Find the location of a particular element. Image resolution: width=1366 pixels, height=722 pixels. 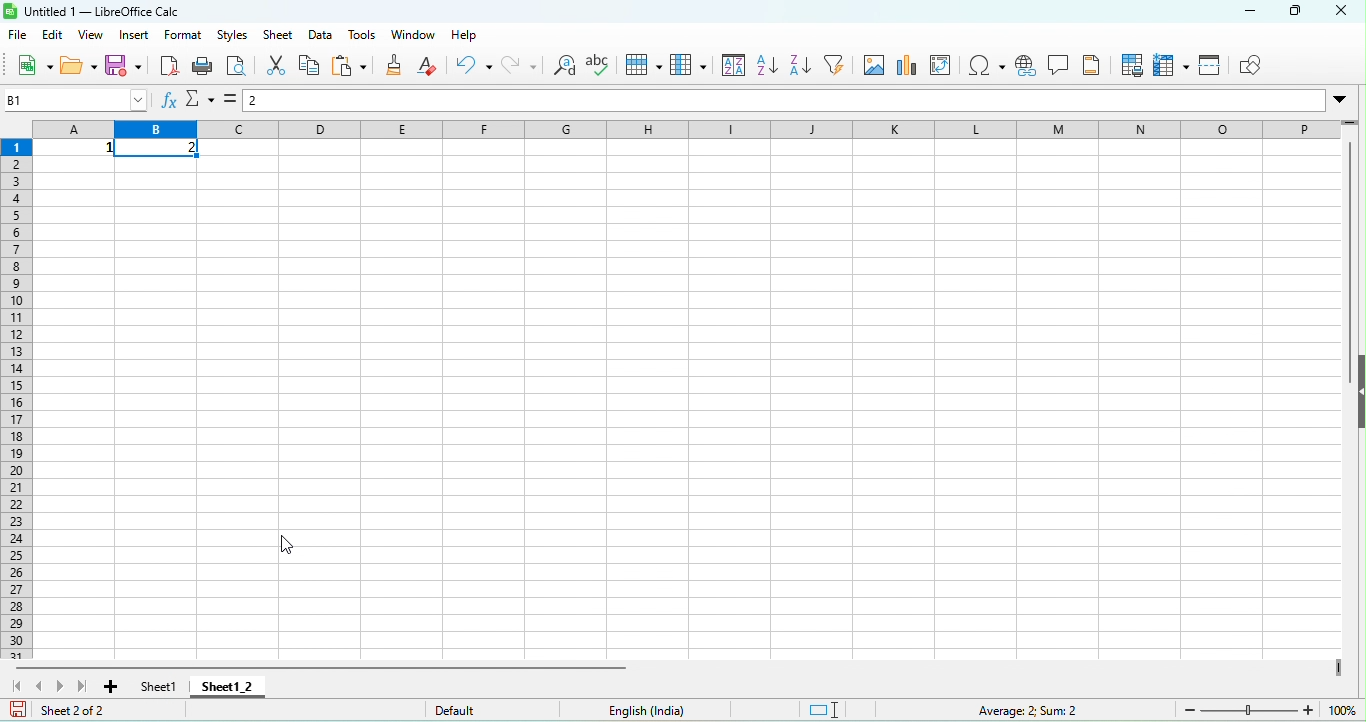

scroll to previous sheet is located at coordinates (43, 685).